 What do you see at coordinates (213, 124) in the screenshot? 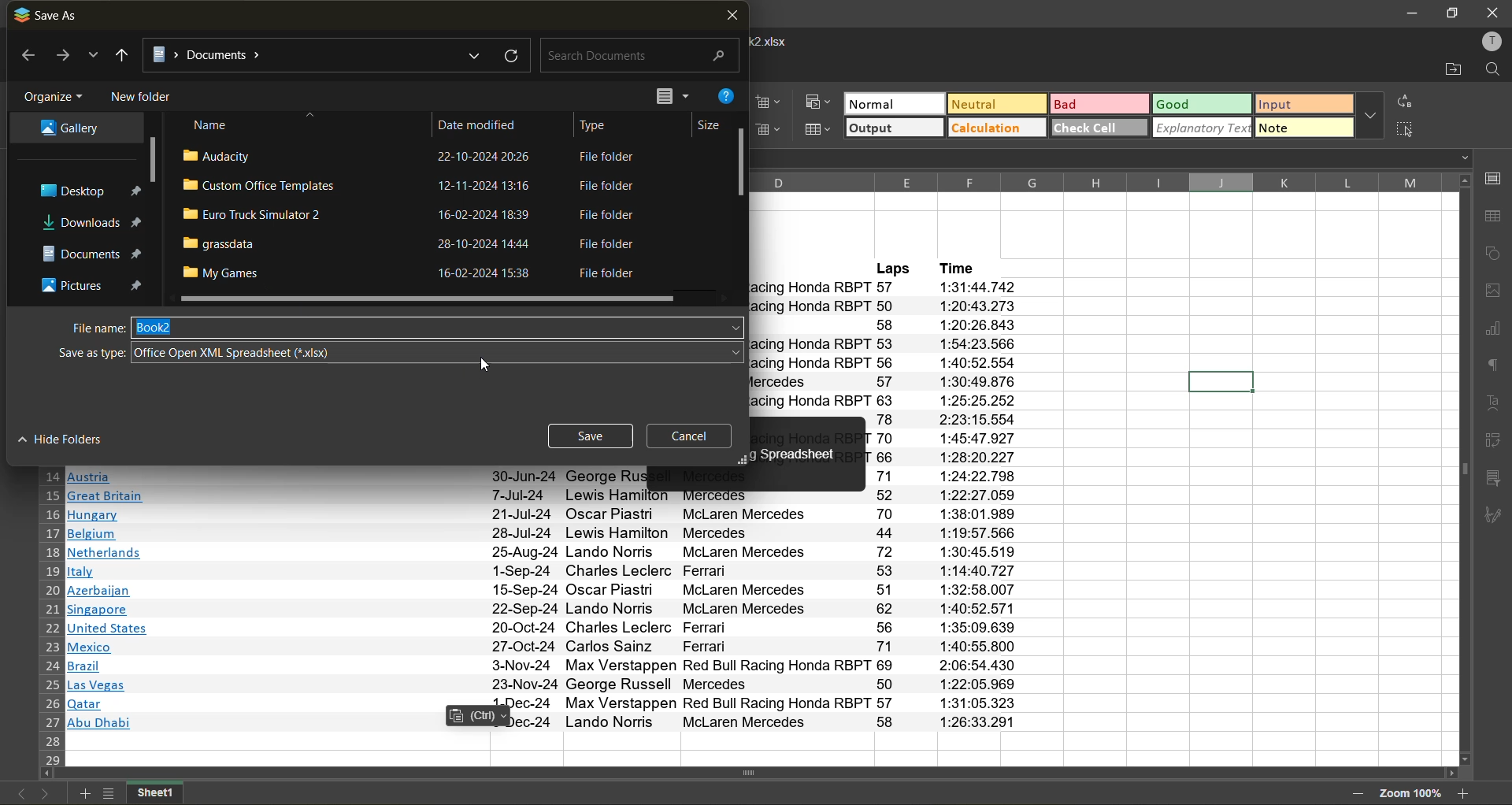
I see `name` at bounding box center [213, 124].